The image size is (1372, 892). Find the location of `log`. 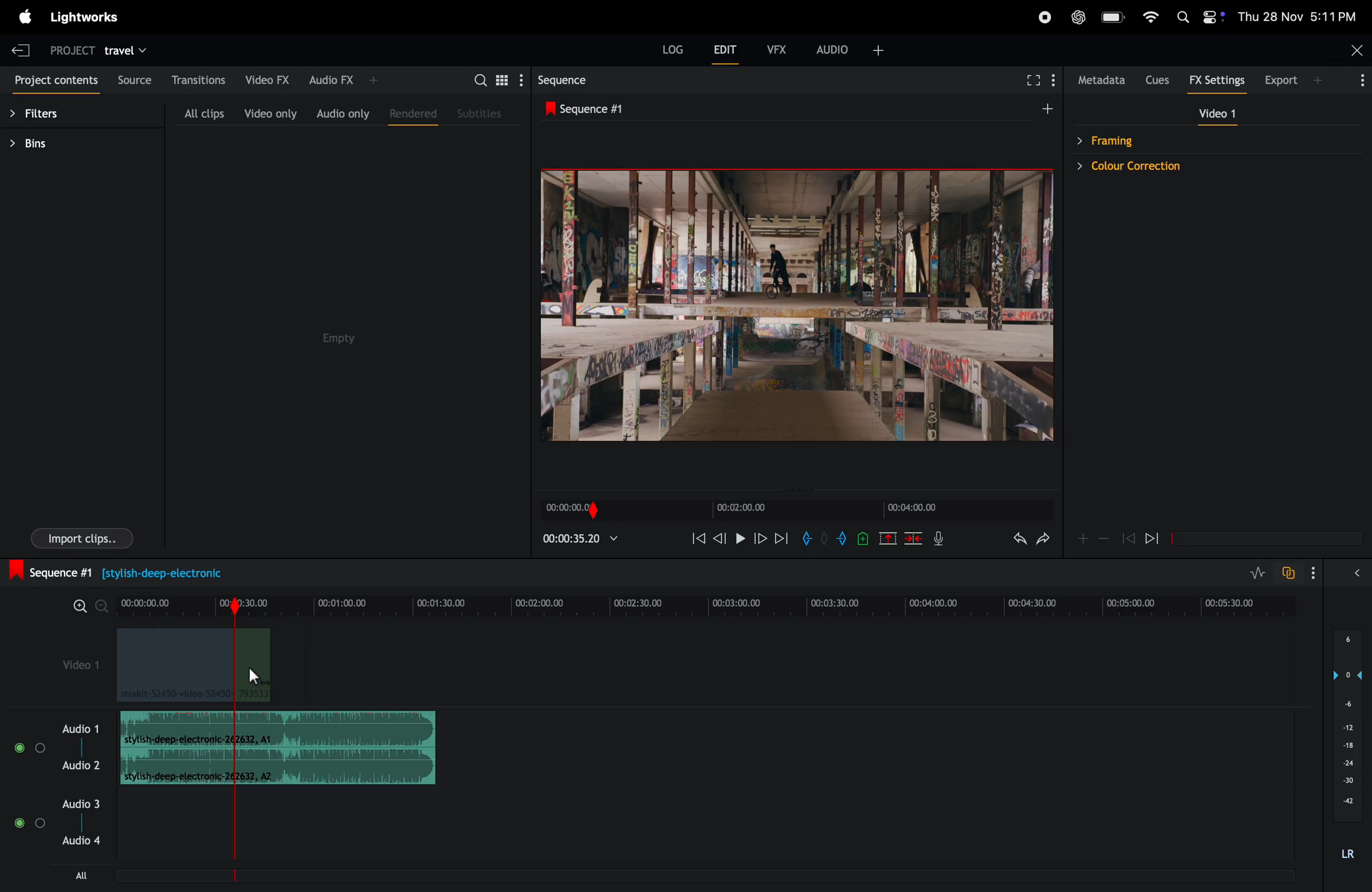

log is located at coordinates (670, 48).